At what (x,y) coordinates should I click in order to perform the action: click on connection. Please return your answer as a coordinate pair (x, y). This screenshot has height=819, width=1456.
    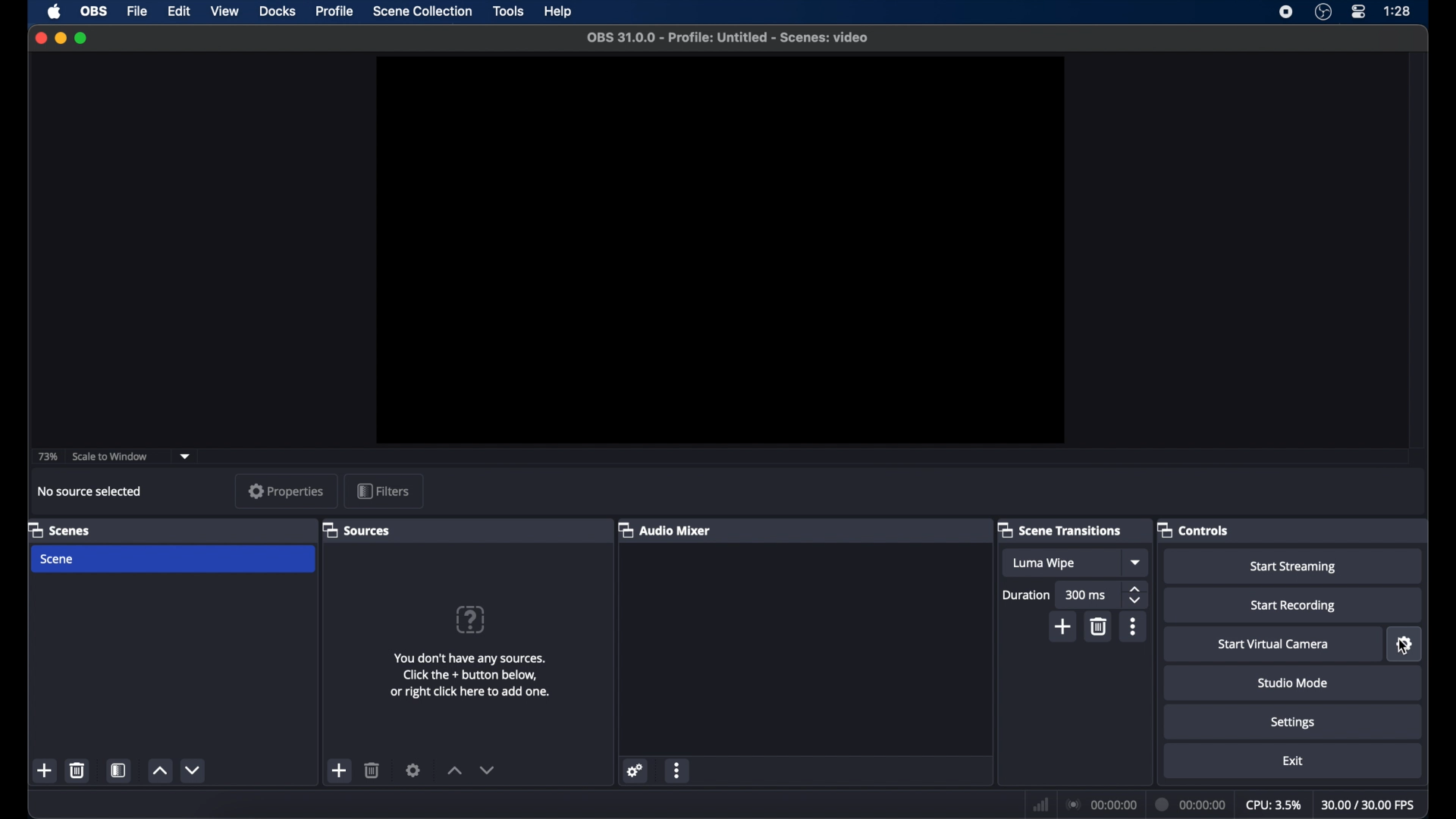
    Looking at the image, I should click on (1100, 804).